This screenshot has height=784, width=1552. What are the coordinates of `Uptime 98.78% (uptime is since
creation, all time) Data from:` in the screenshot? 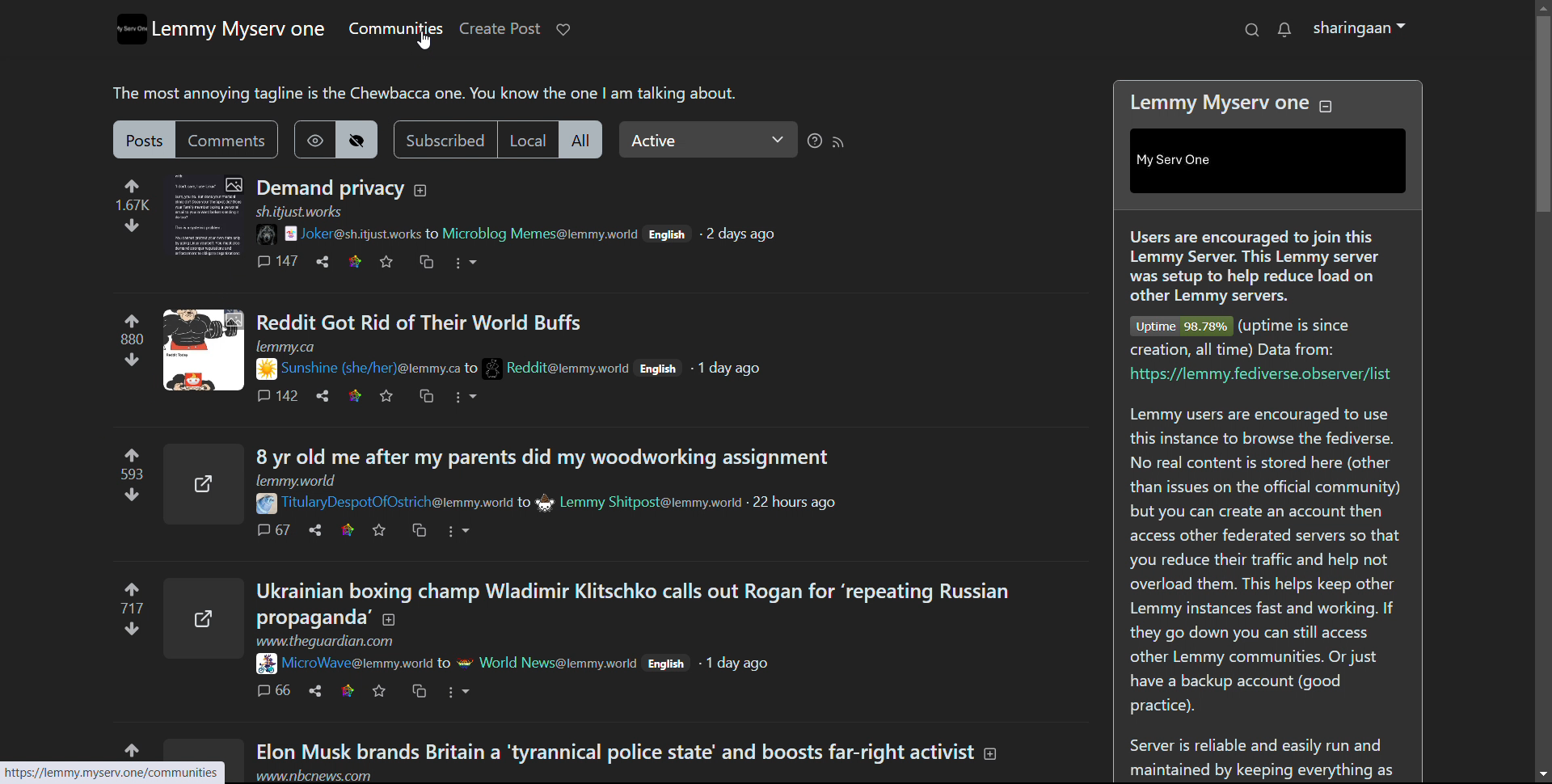 It's located at (1243, 335).